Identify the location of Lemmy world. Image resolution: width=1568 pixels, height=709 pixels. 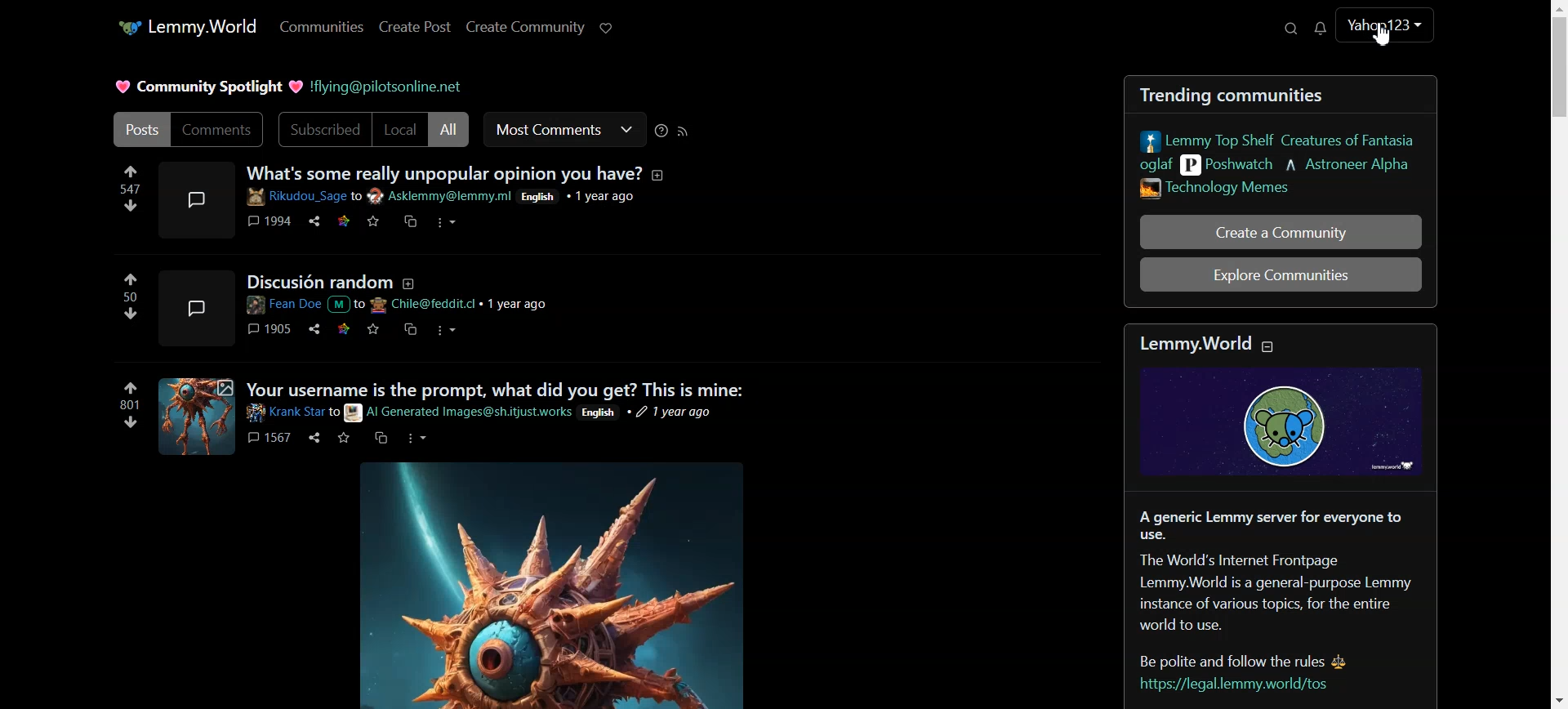
(1287, 402).